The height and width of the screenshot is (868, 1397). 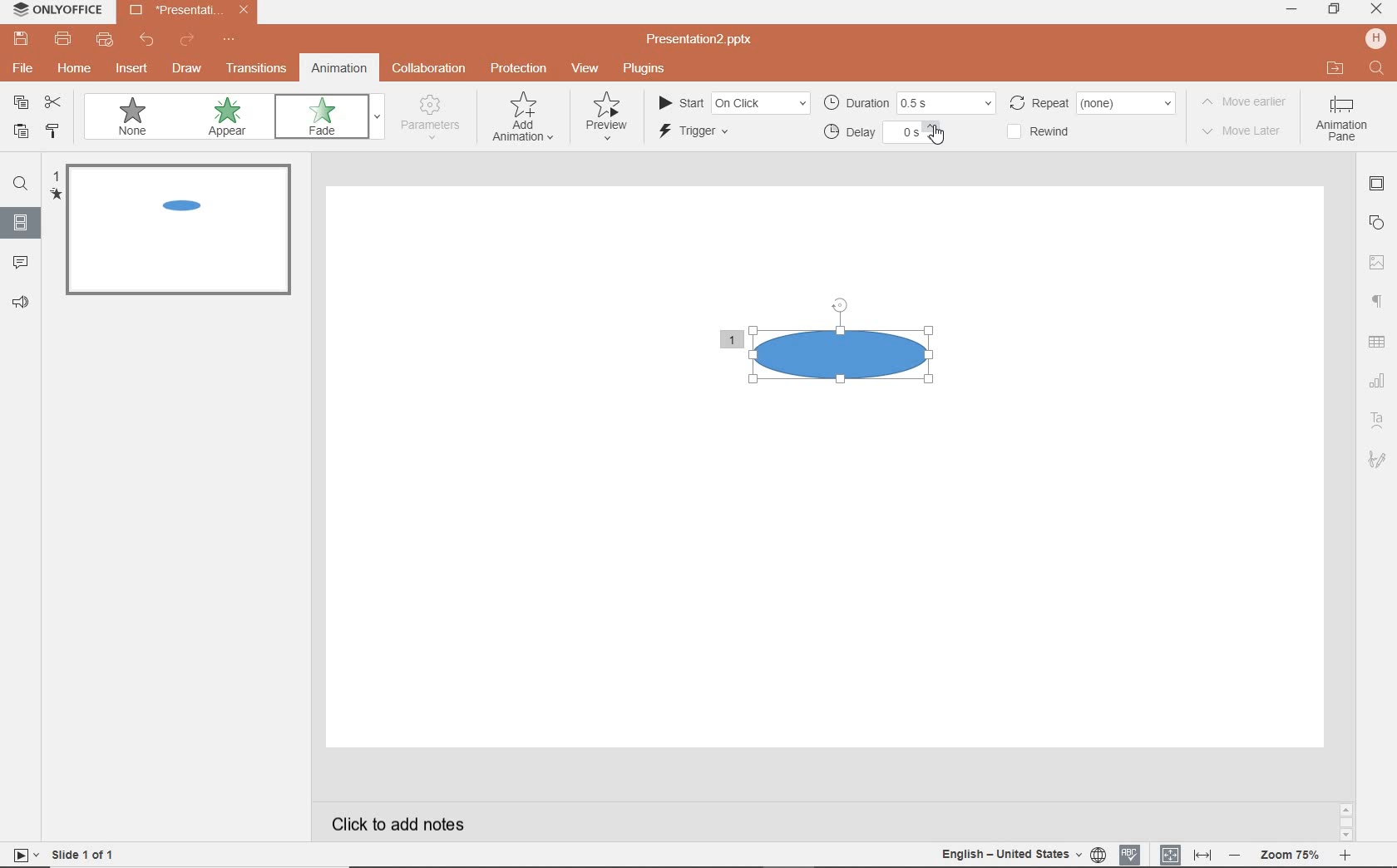 I want to click on SPELL CHECKING, so click(x=1131, y=856).